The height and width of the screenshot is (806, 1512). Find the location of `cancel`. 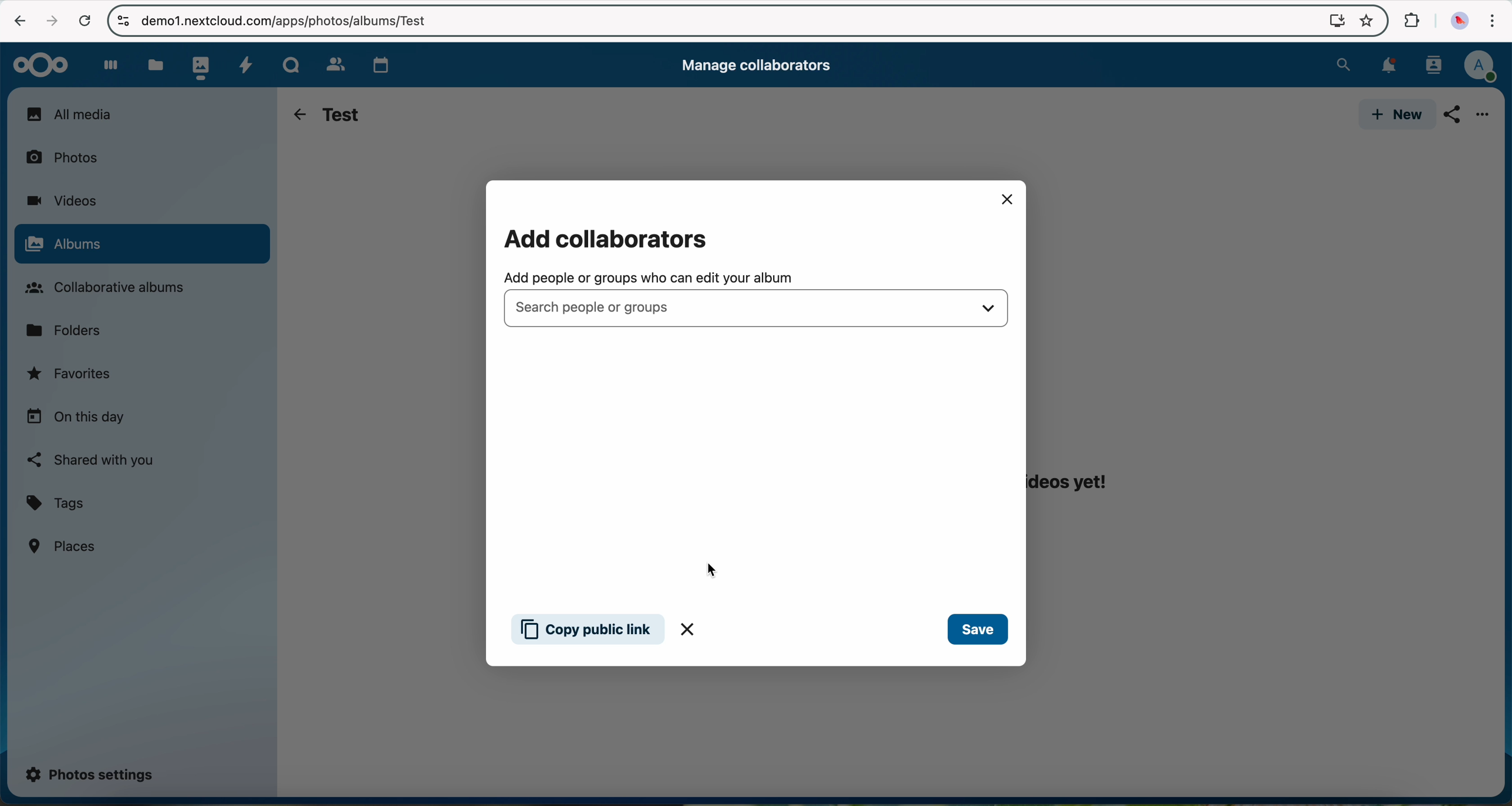

cancel is located at coordinates (85, 22).